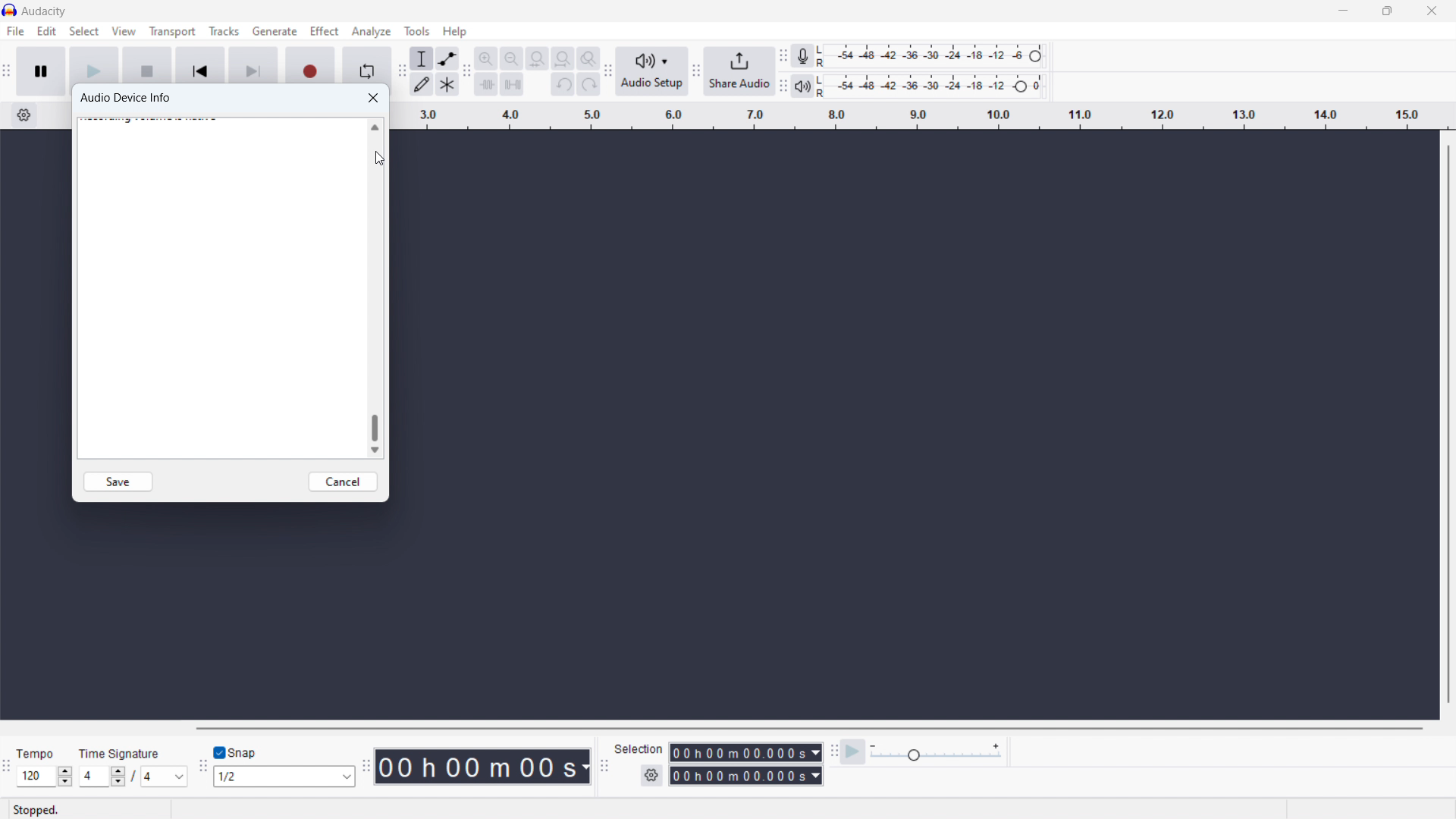 The height and width of the screenshot is (819, 1456). Describe the element at coordinates (931, 86) in the screenshot. I see `playback level` at that location.